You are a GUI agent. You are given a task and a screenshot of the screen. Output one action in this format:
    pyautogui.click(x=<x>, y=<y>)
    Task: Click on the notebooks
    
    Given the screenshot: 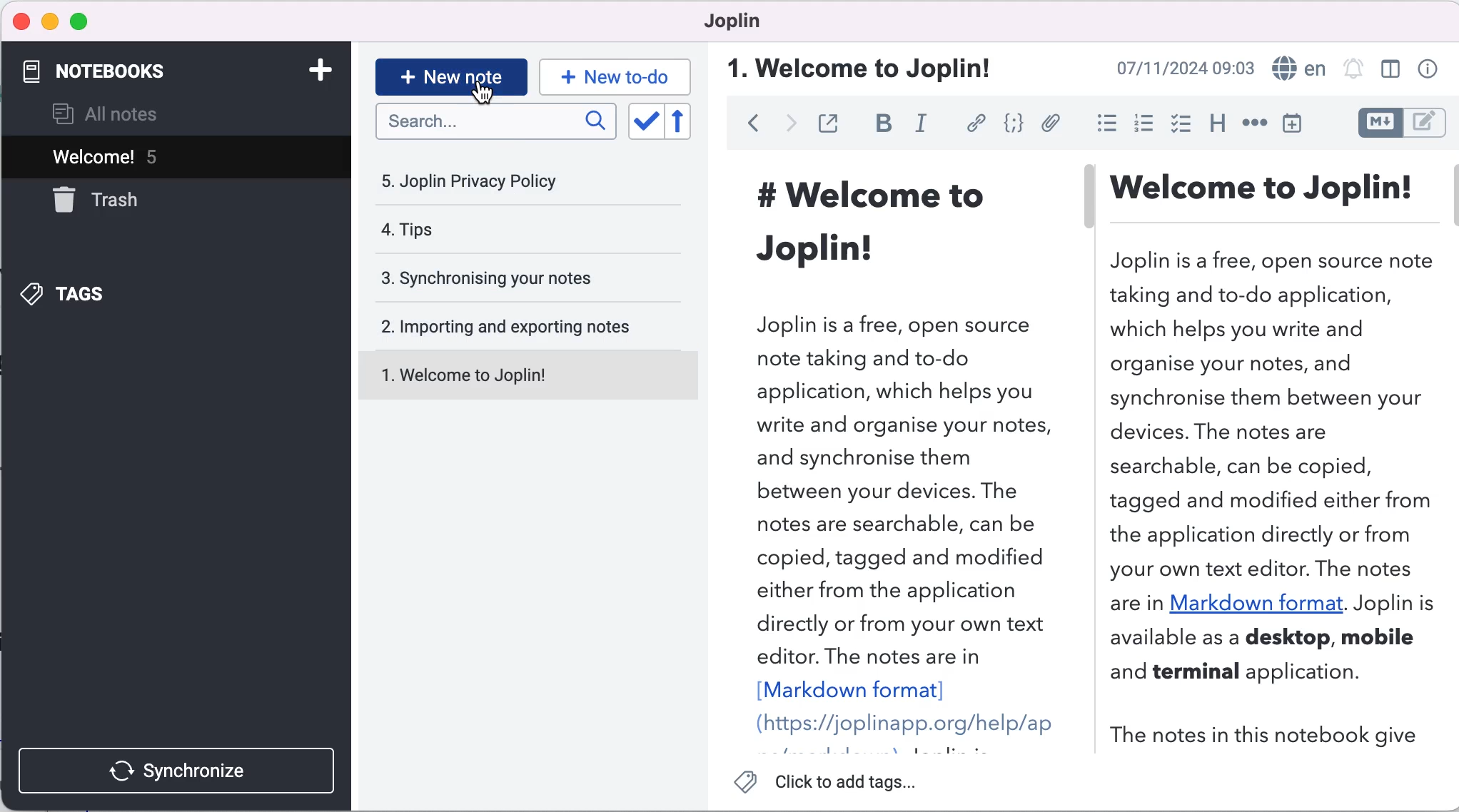 What is the action you would take?
    pyautogui.click(x=141, y=72)
    